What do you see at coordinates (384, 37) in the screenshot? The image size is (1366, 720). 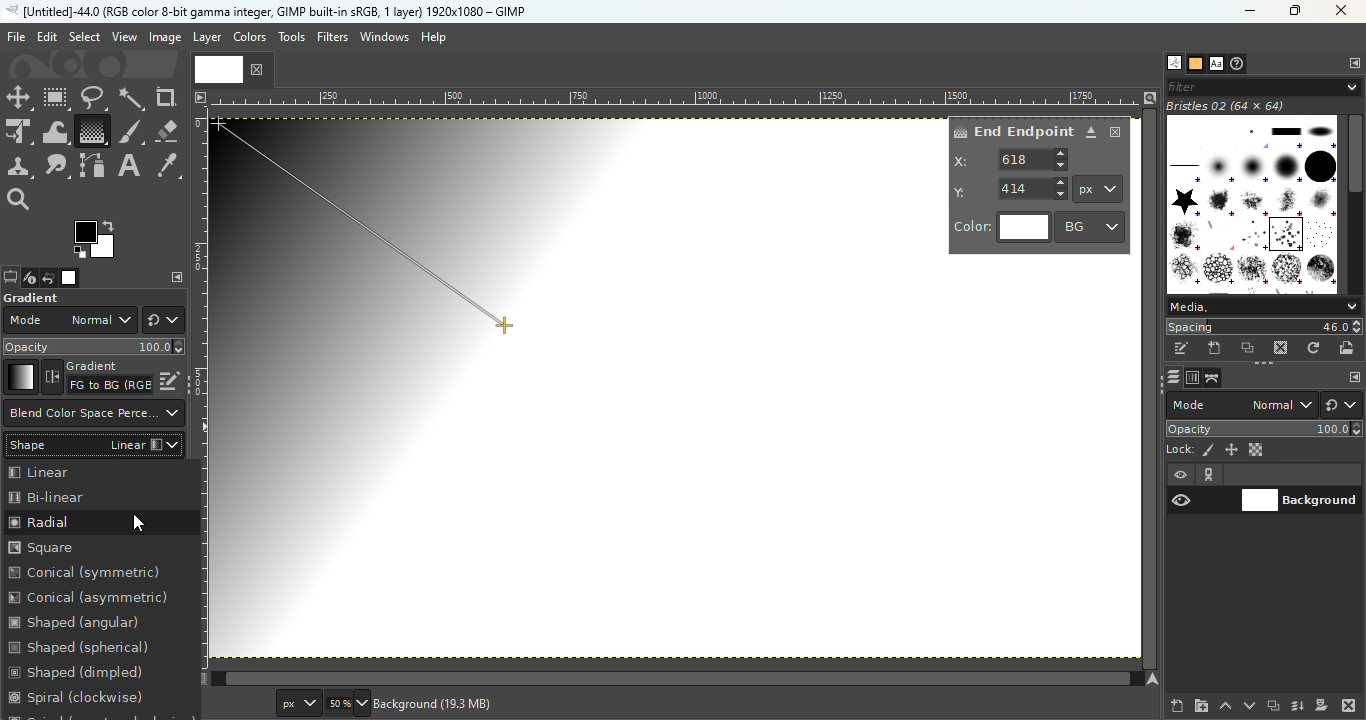 I see `Windows` at bounding box center [384, 37].